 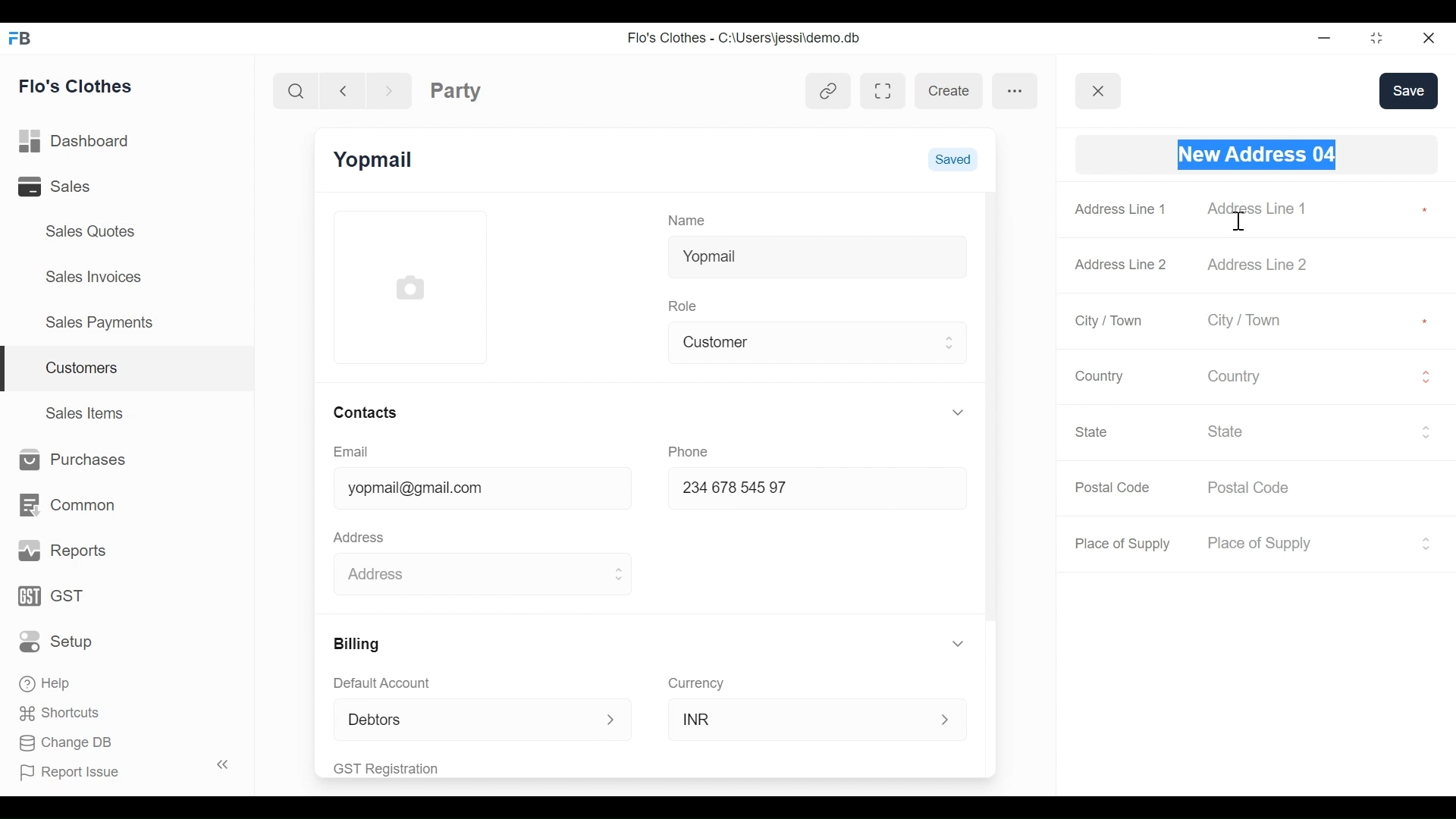 What do you see at coordinates (75, 186) in the screenshot?
I see `Sales` at bounding box center [75, 186].